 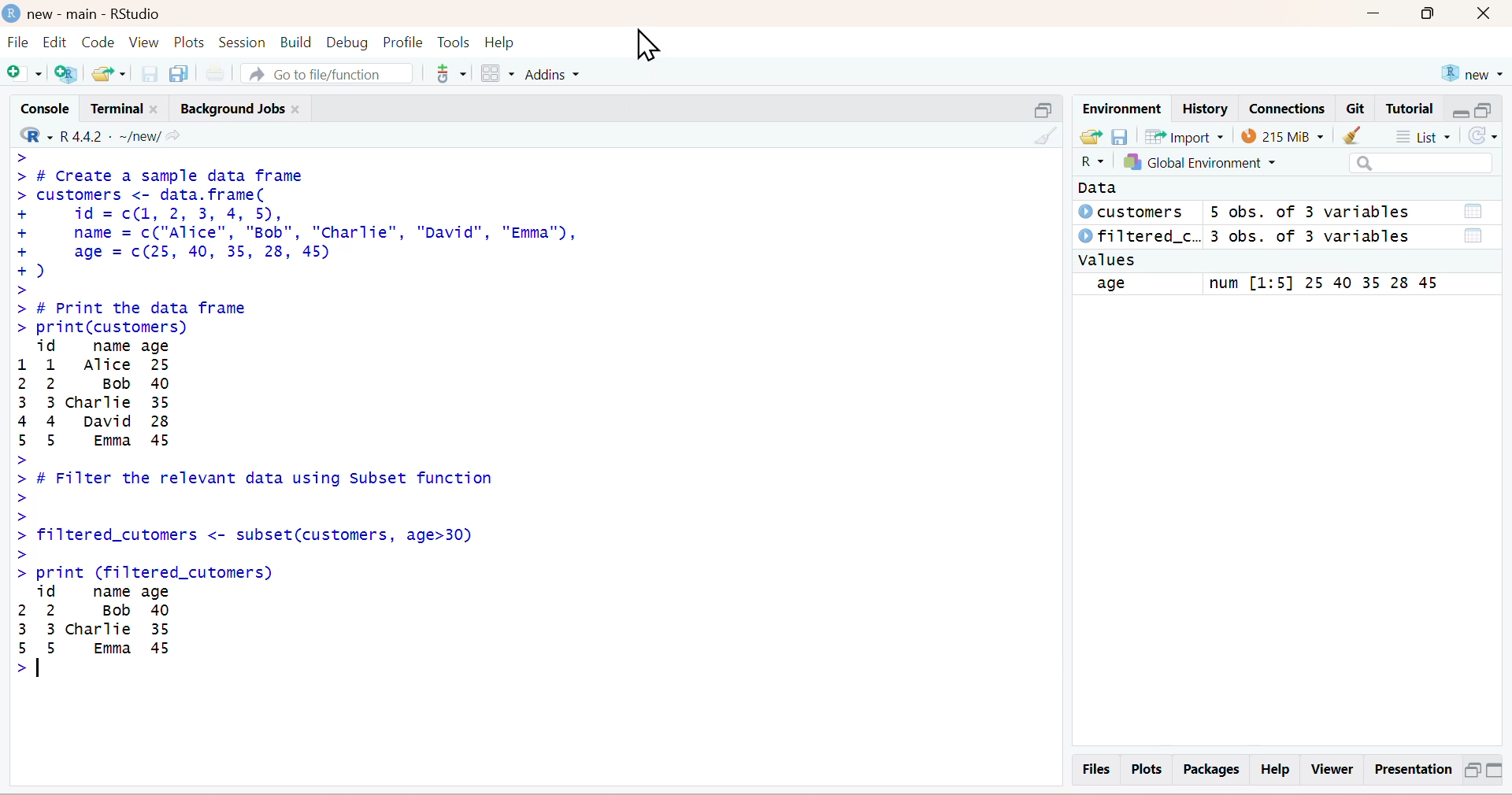 I want to click on Viewer, so click(x=1332, y=769).